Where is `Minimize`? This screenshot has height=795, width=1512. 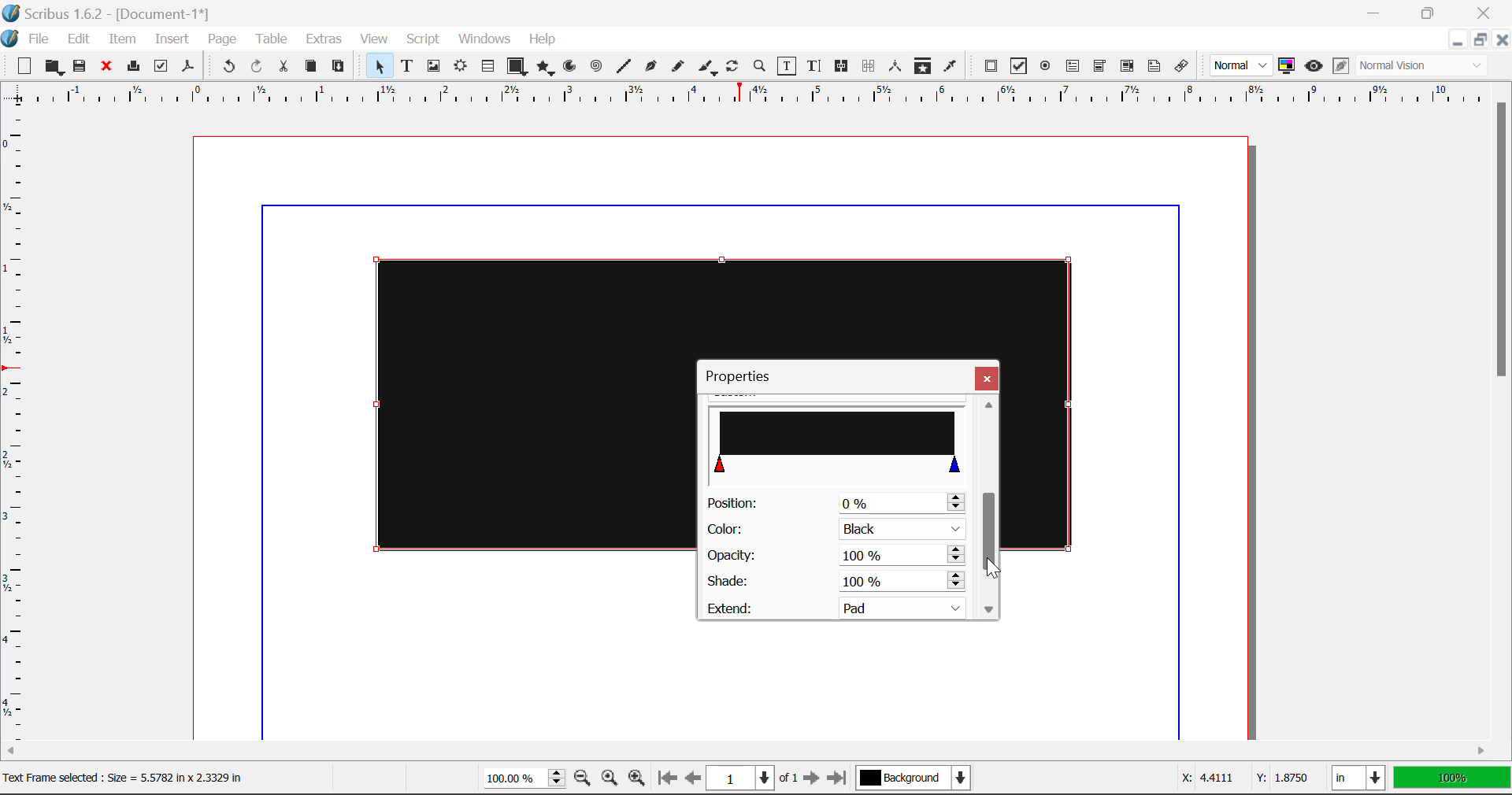 Minimize is located at coordinates (1478, 39).